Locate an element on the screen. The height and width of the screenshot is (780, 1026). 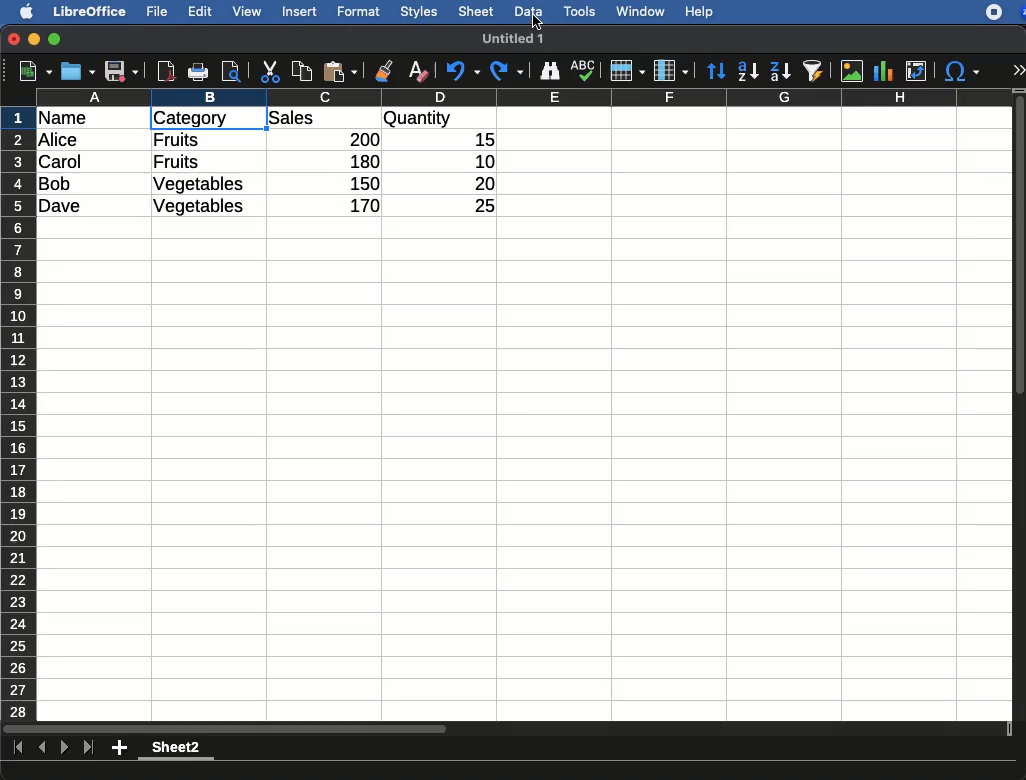
200 is located at coordinates (359, 139).